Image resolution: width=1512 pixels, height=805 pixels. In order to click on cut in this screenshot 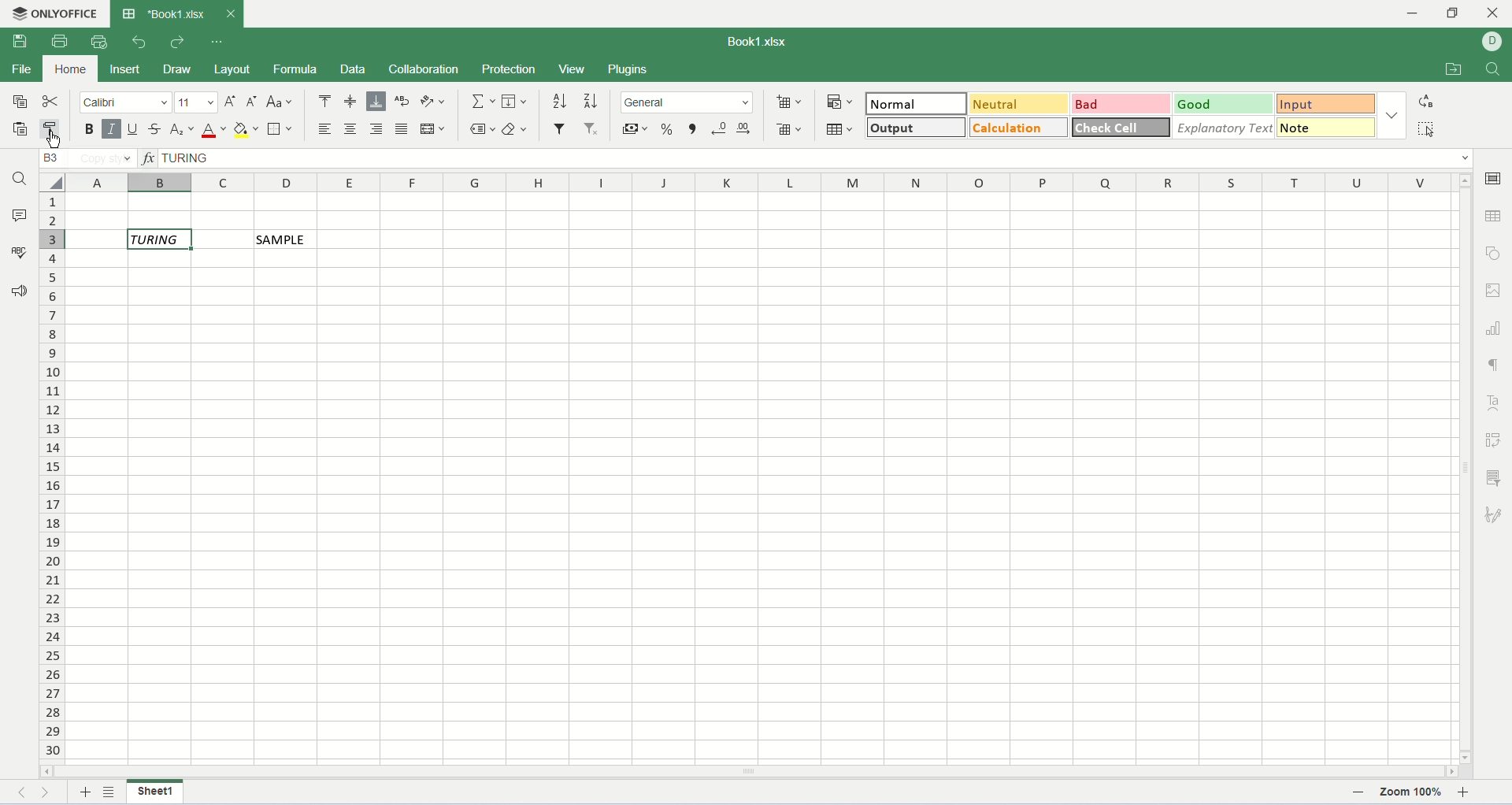, I will do `click(52, 100)`.